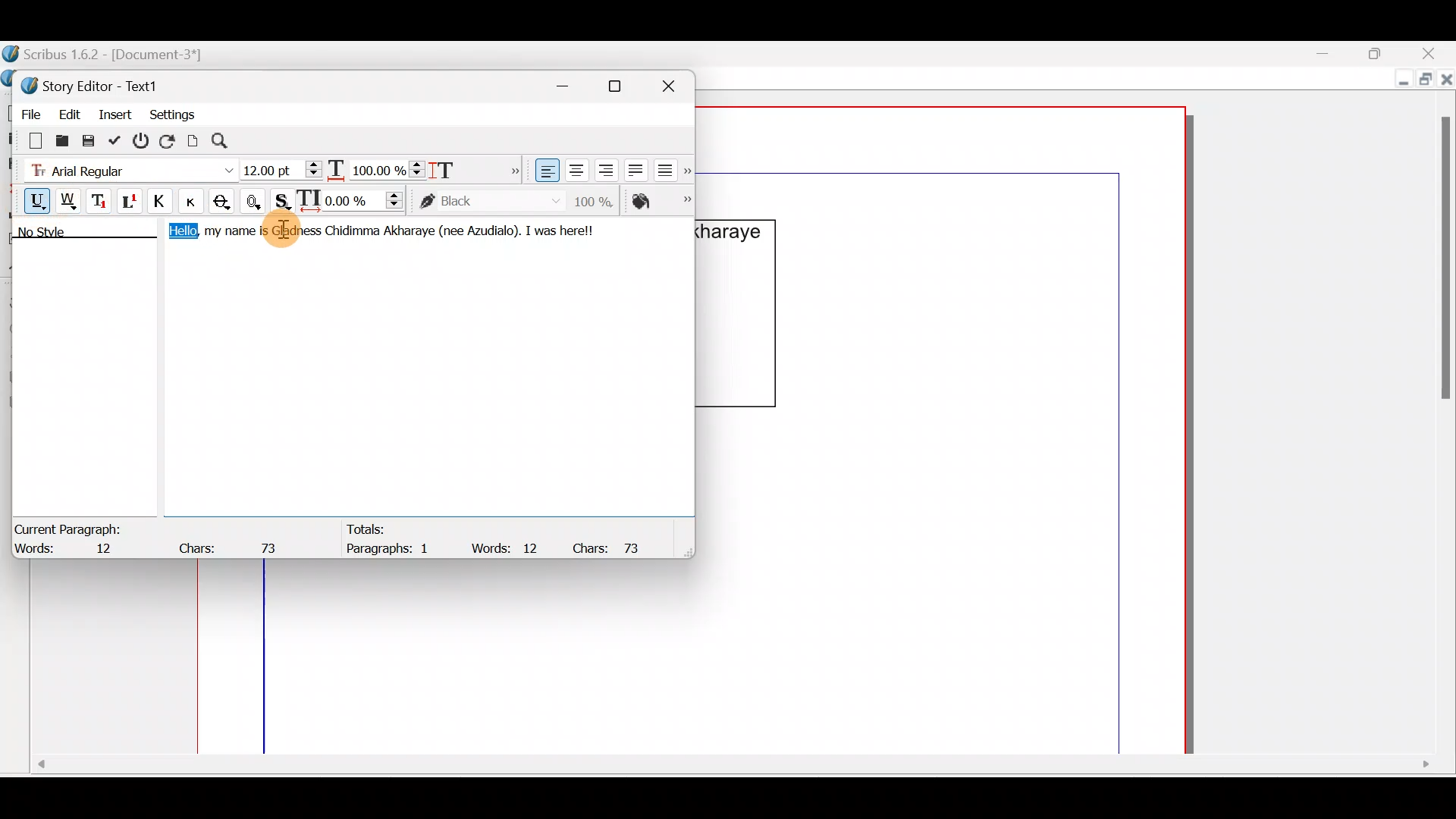  What do you see at coordinates (492, 229) in the screenshot?
I see `Azudialo).` at bounding box center [492, 229].